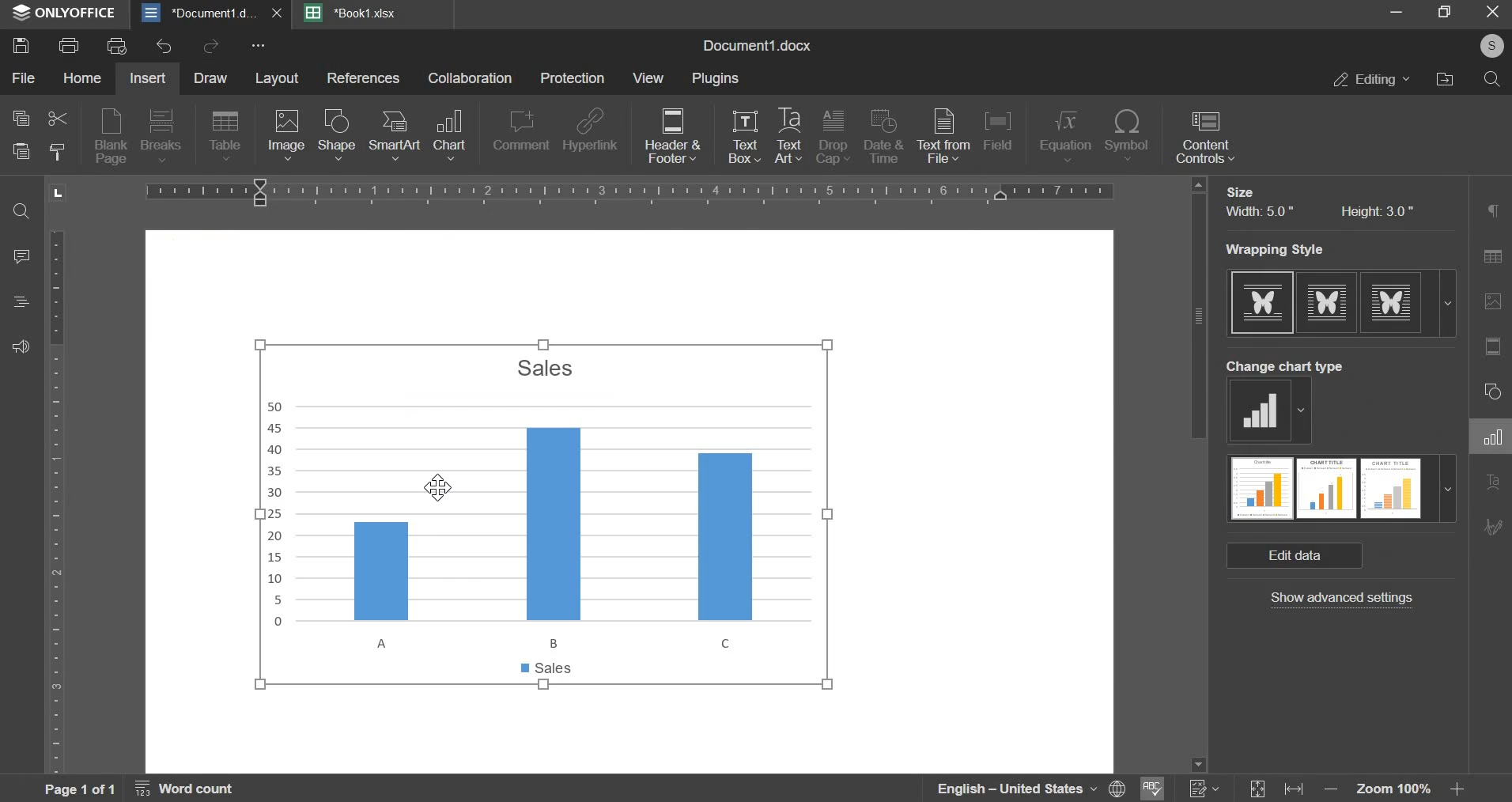 The width and height of the screenshot is (1512, 802). I want to click on vertical scale, so click(56, 503).